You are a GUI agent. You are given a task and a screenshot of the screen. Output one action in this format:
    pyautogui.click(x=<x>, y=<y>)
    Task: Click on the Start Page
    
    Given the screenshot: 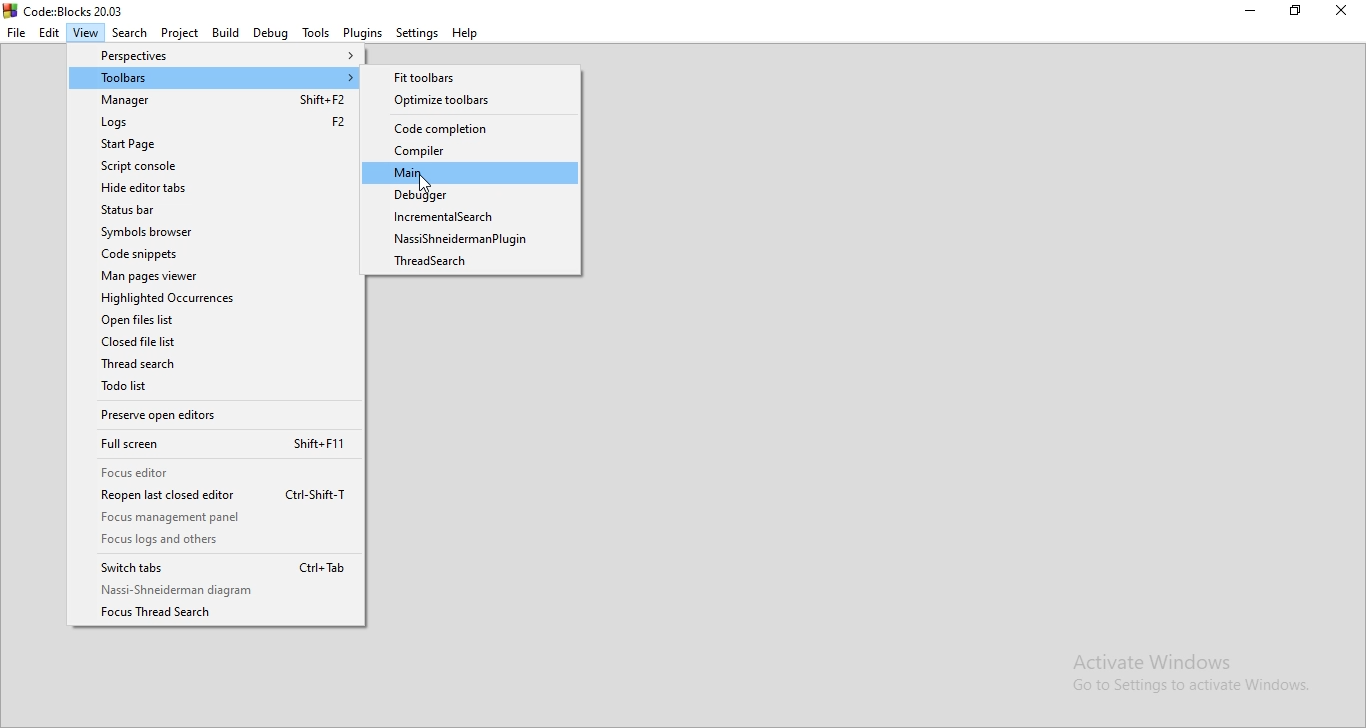 What is the action you would take?
    pyautogui.click(x=215, y=144)
    